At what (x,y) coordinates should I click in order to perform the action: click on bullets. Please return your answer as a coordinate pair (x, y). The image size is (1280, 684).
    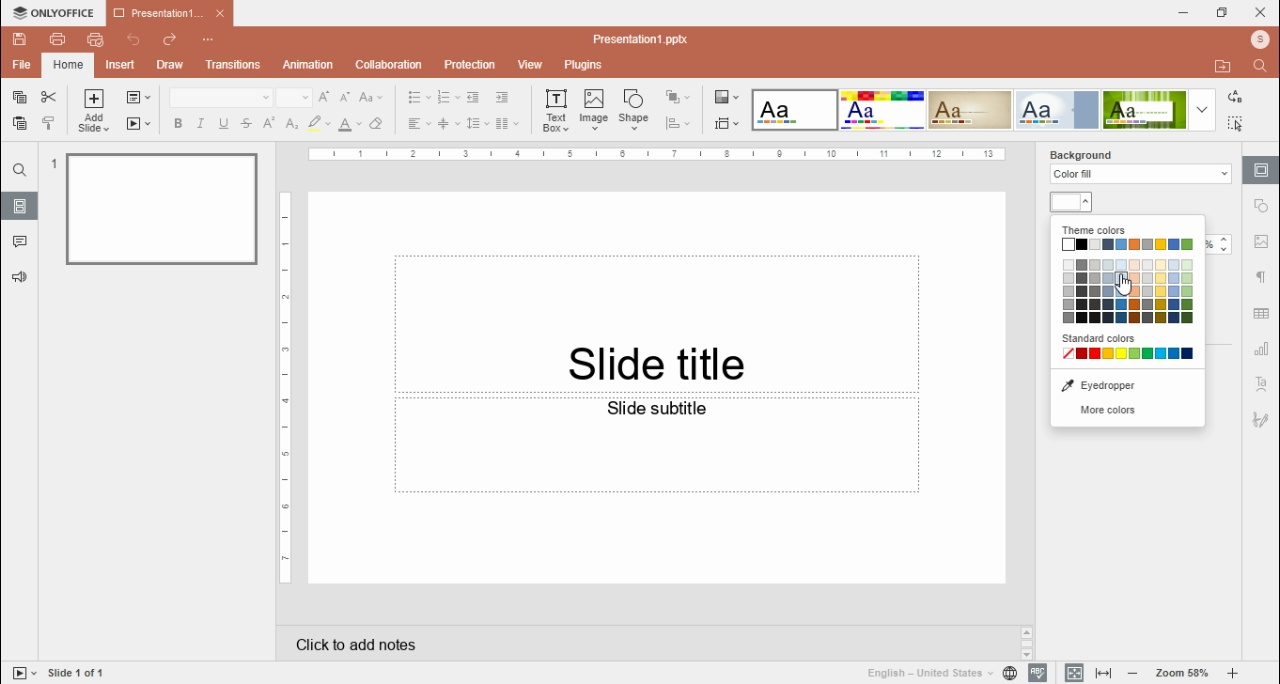
    Looking at the image, I should click on (420, 98).